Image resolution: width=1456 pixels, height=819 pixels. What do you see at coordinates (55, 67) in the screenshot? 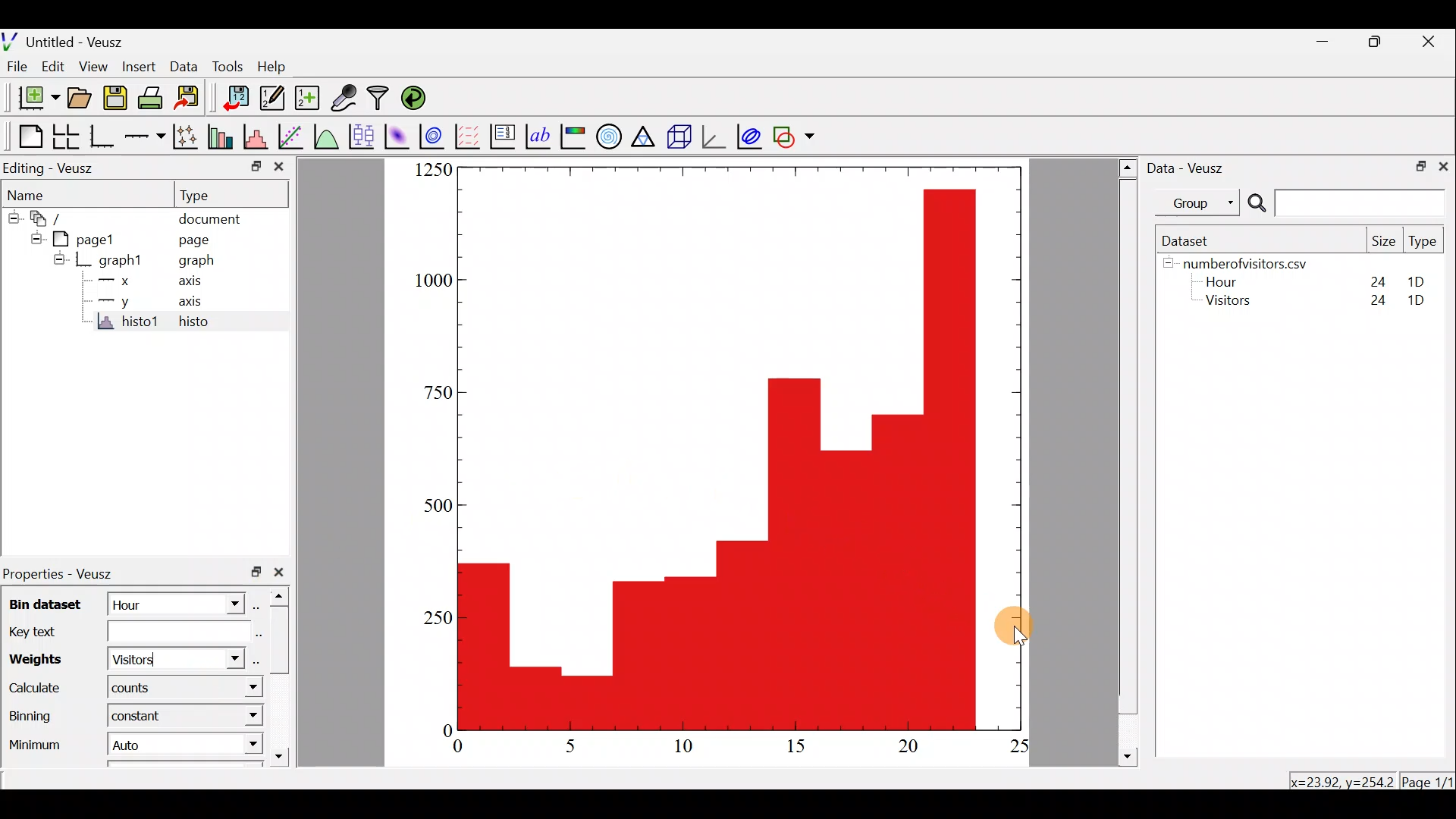
I see `Edit` at bounding box center [55, 67].